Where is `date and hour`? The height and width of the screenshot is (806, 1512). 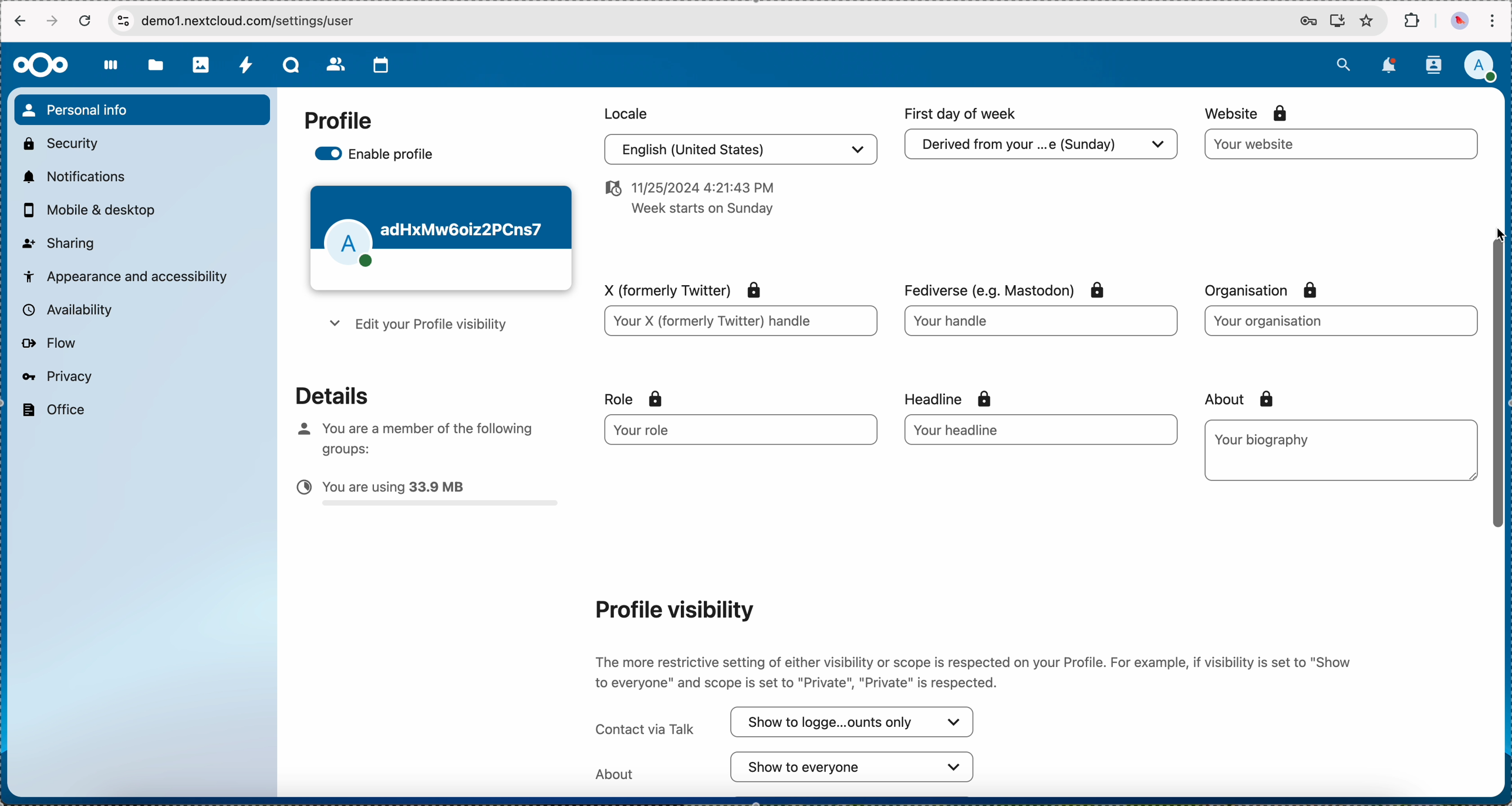 date and hour is located at coordinates (687, 202).